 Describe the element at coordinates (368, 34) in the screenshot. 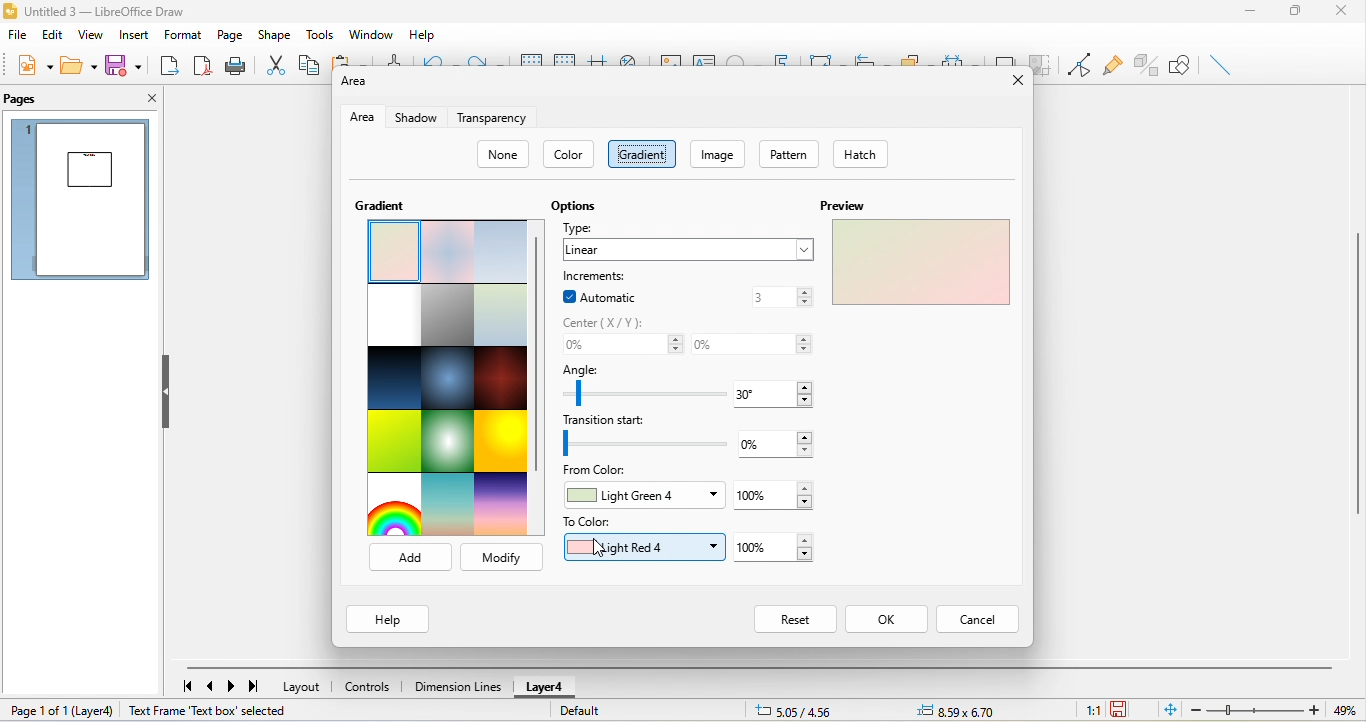

I see `window` at that location.